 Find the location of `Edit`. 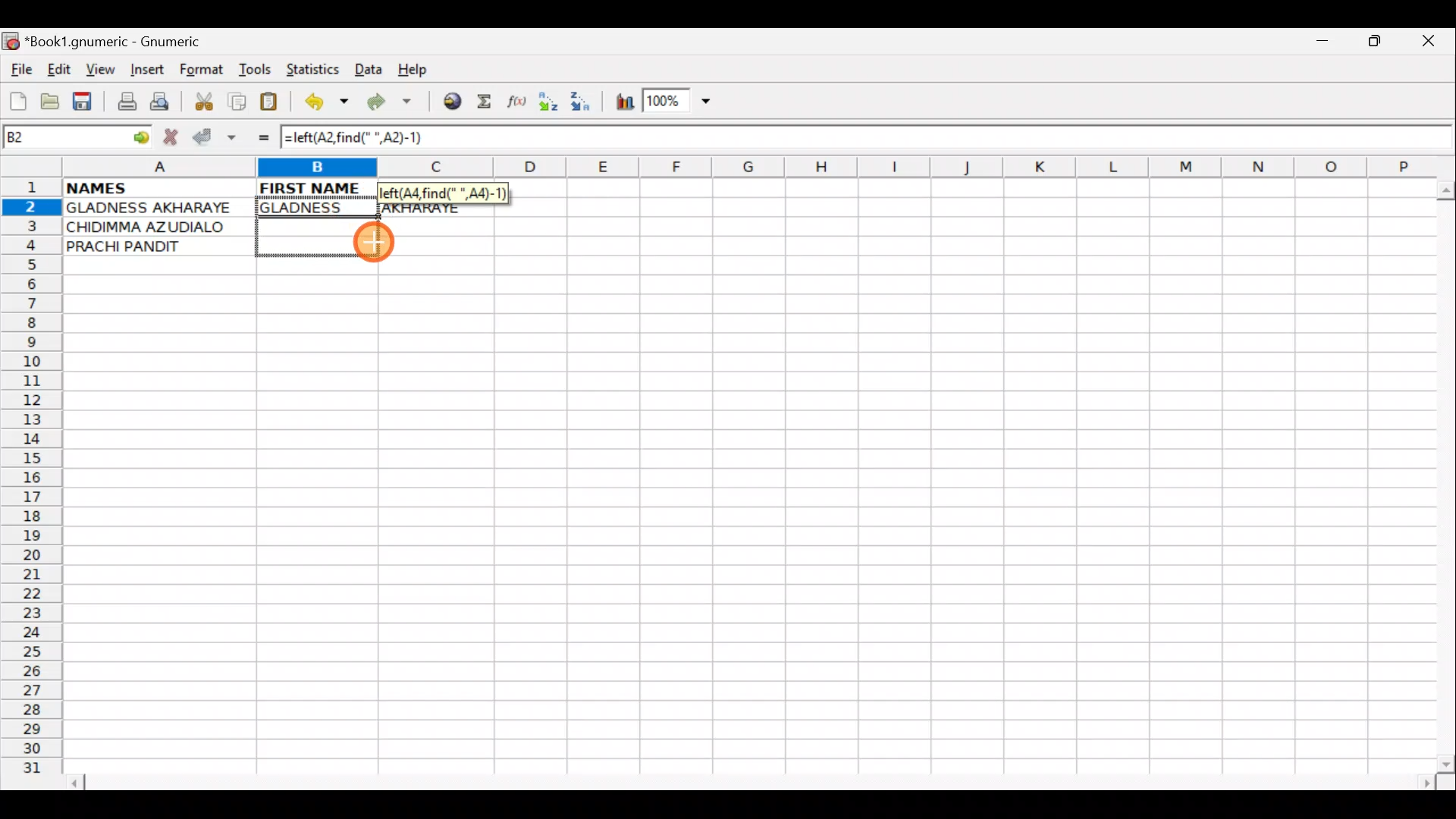

Edit is located at coordinates (58, 69).